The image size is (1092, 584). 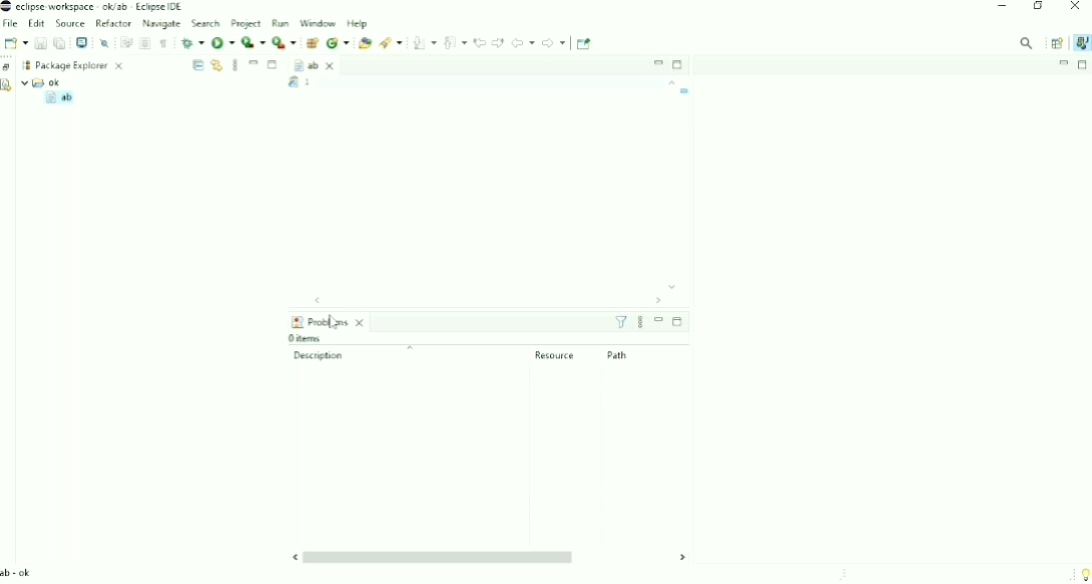 I want to click on ab, so click(x=58, y=98).